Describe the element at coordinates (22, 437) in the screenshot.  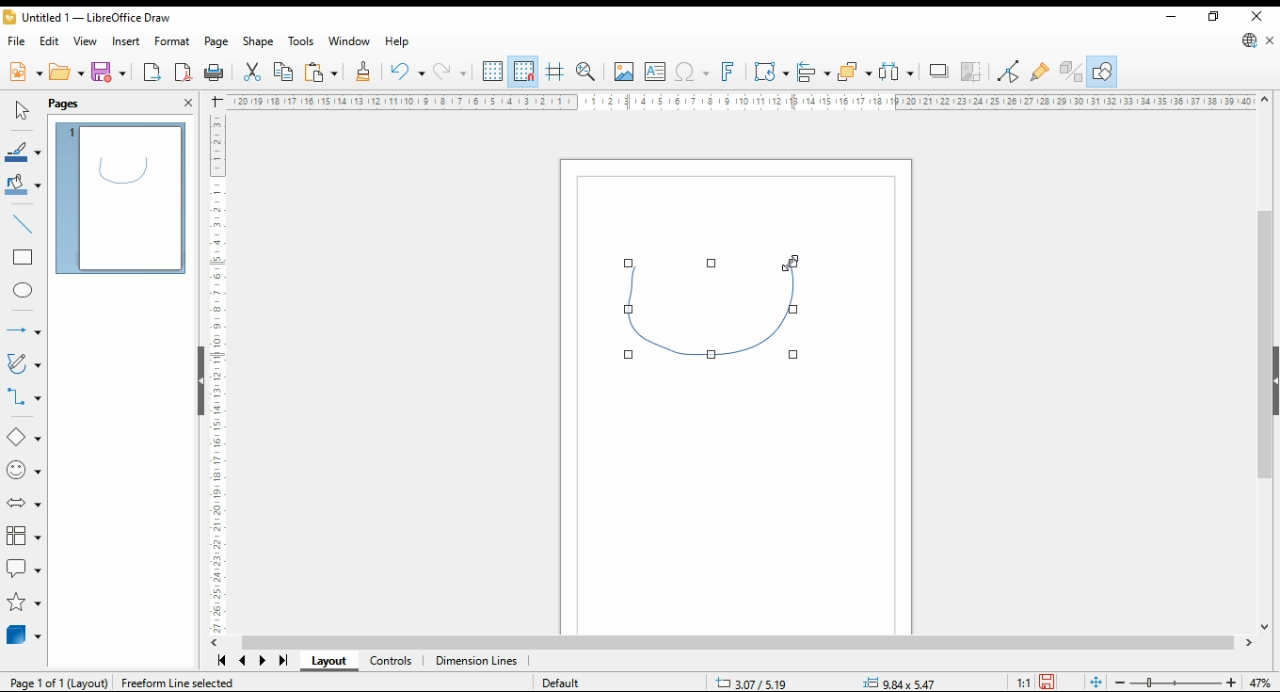
I see `basic shapes` at that location.